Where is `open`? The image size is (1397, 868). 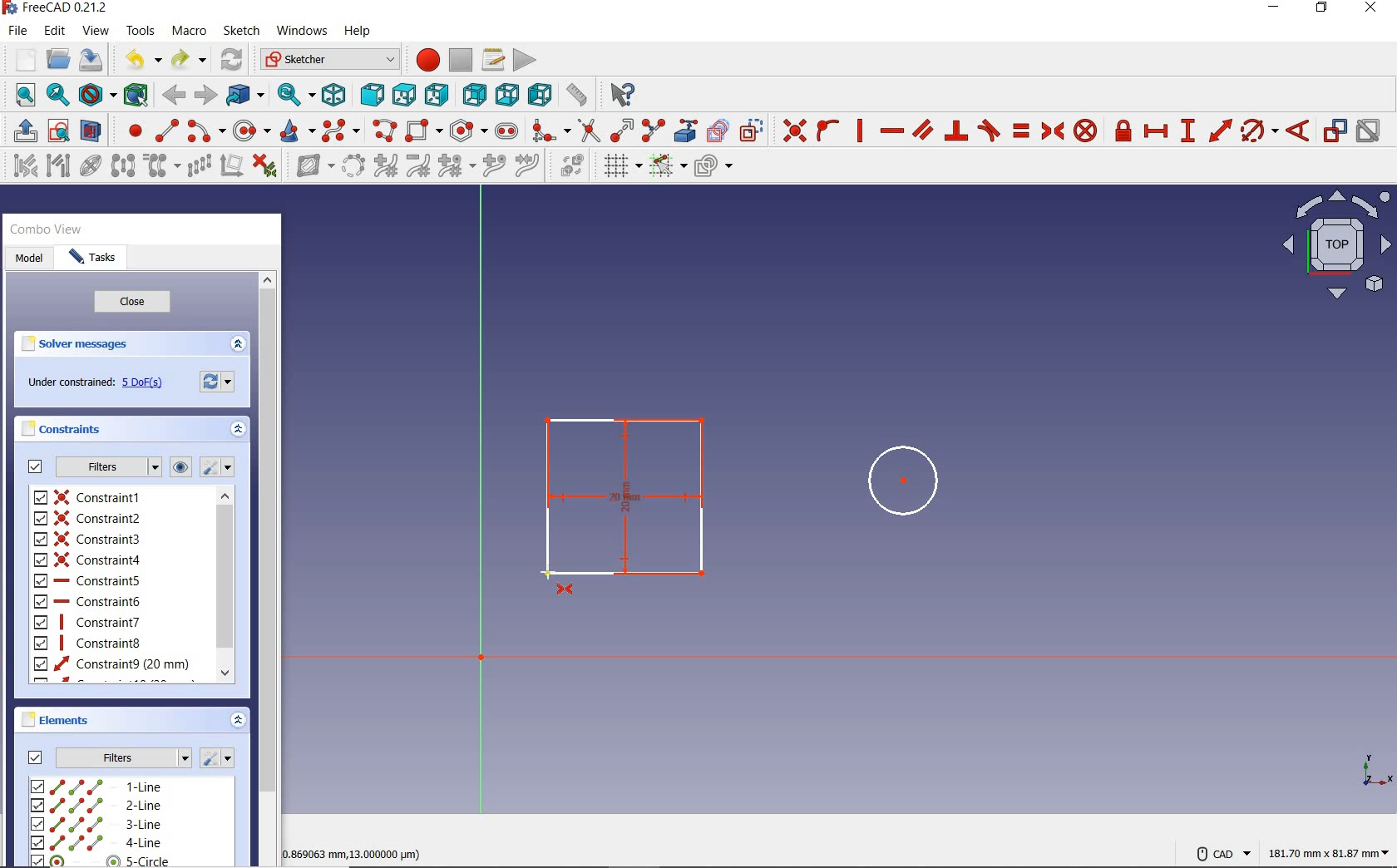 open is located at coordinates (58, 57).